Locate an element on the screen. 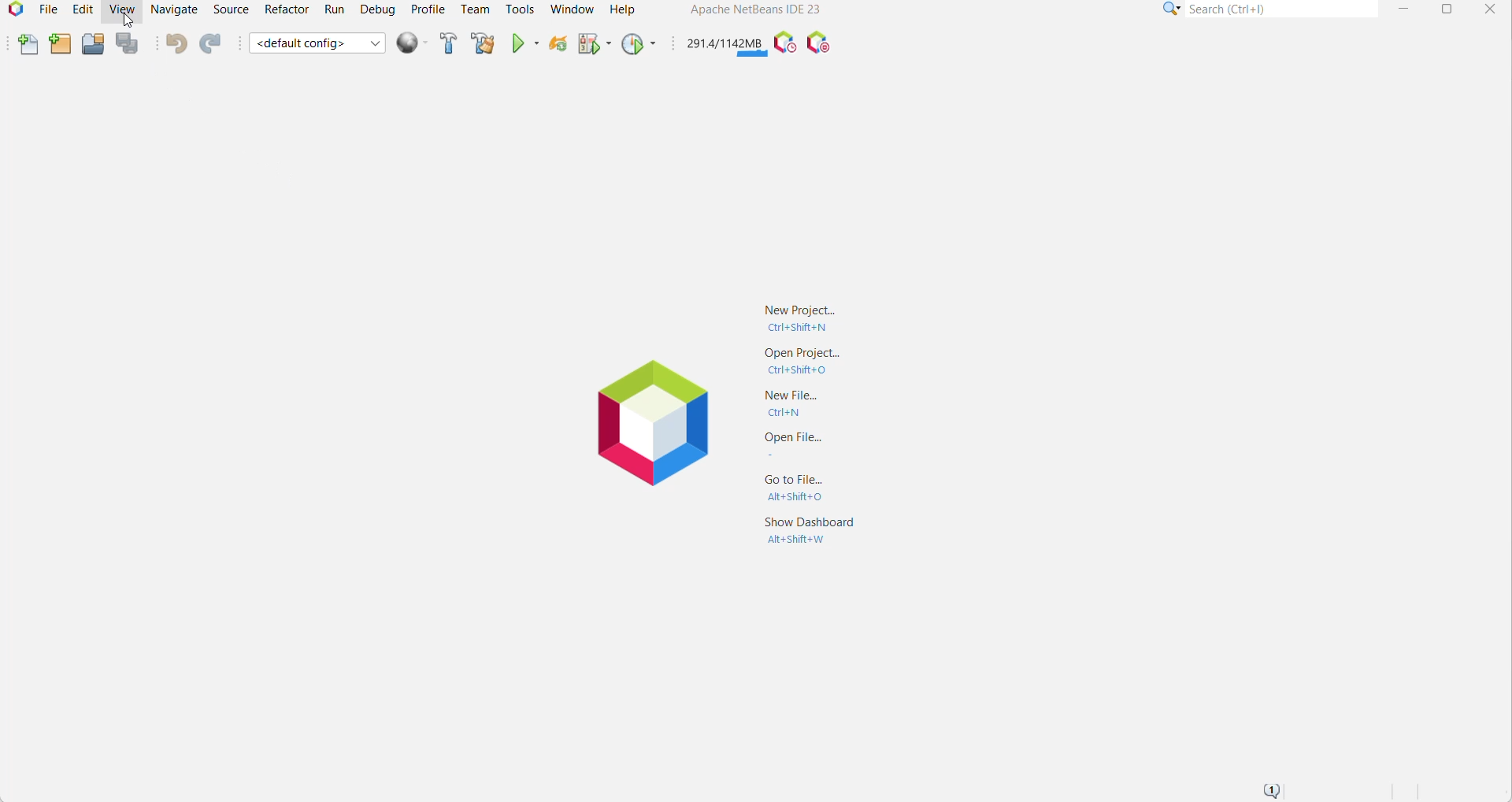  Refactor is located at coordinates (285, 9).